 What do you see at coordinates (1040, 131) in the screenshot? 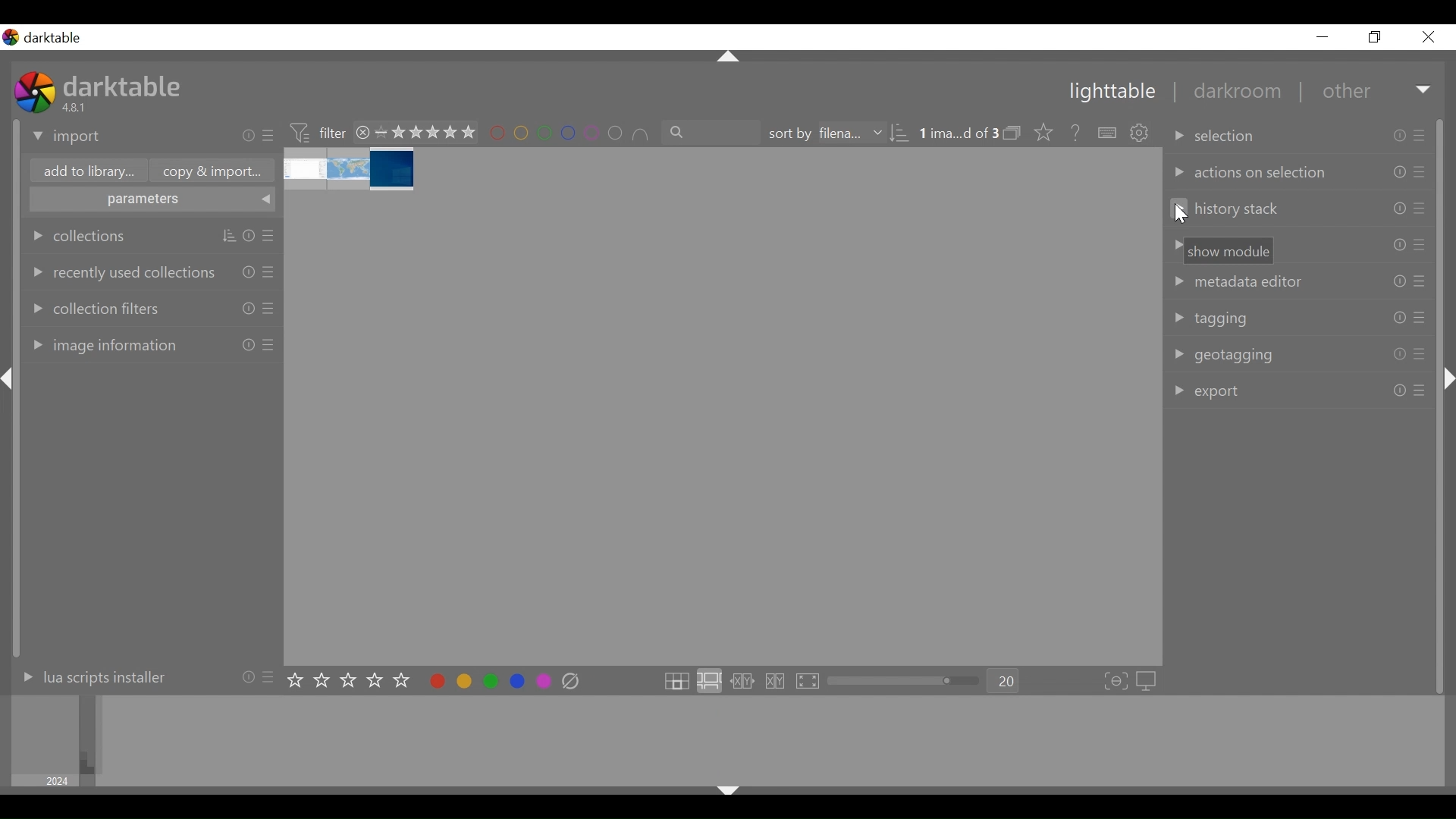
I see `click to change the type of overlays` at bounding box center [1040, 131].